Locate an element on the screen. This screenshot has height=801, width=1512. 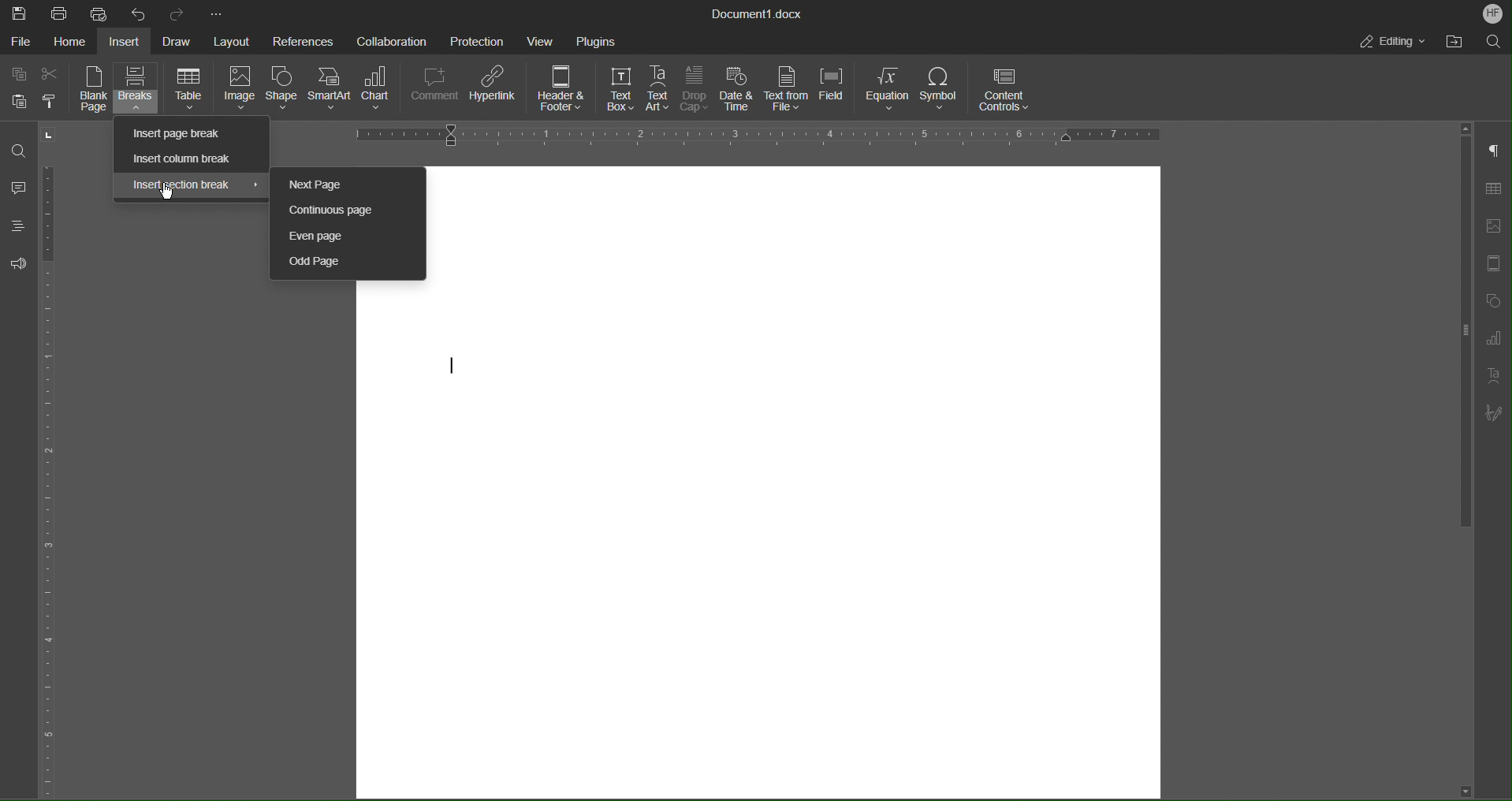
Horizontal Ruler is located at coordinates (758, 133).